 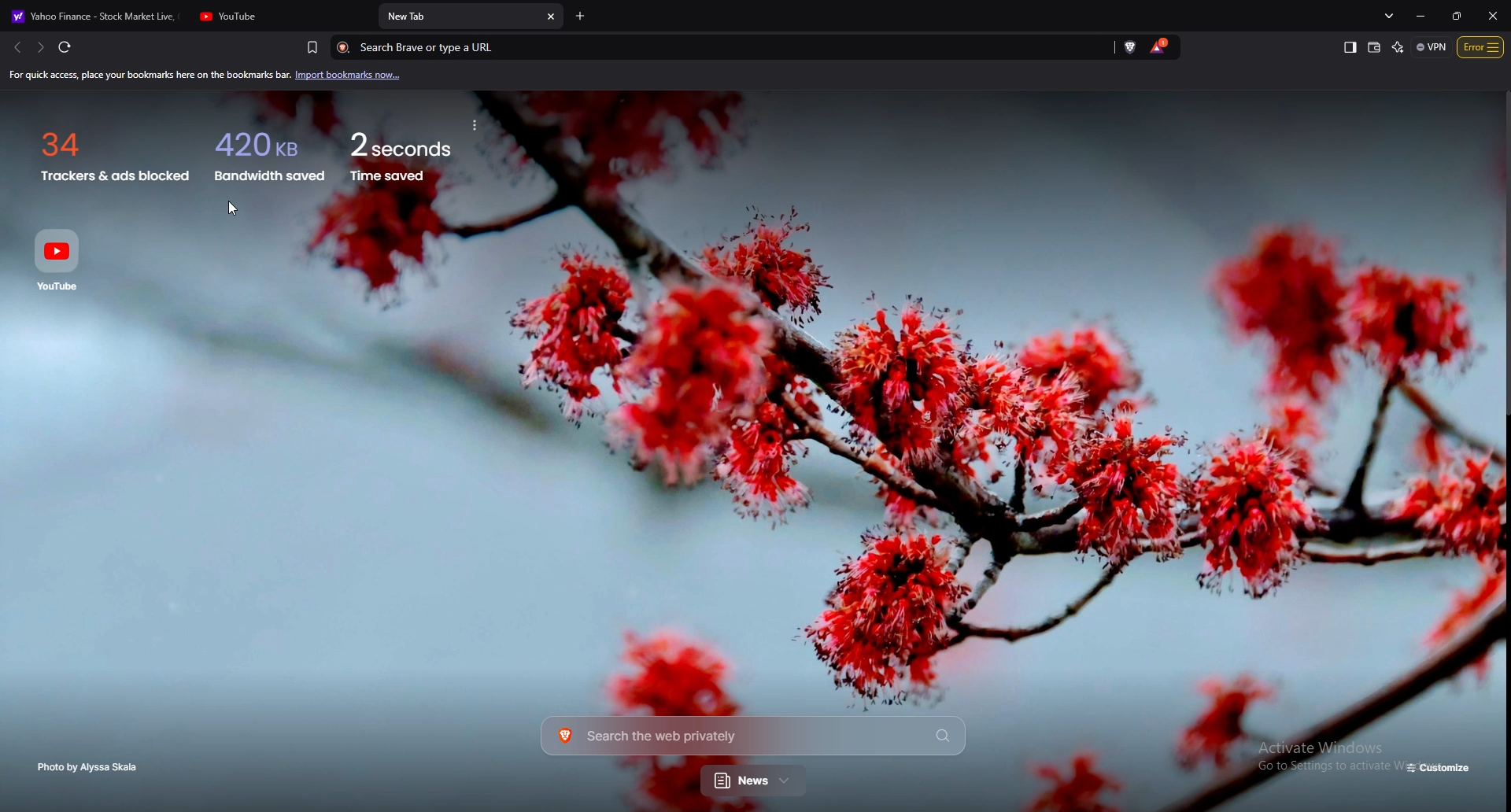 I want to click on 2 seconds Time saved, so click(x=423, y=151).